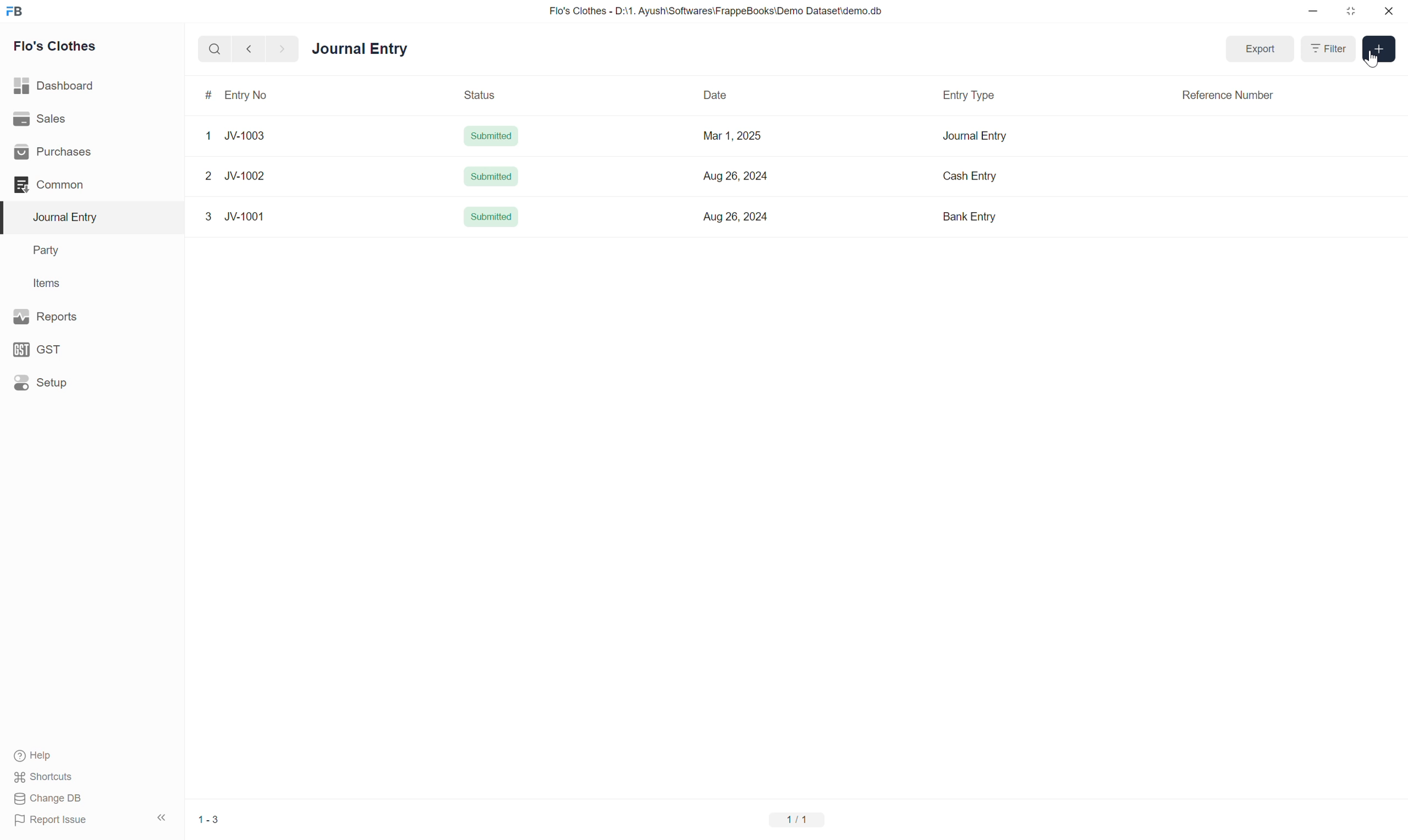 The height and width of the screenshot is (840, 1408). I want to click on Setup, so click(41, 382).